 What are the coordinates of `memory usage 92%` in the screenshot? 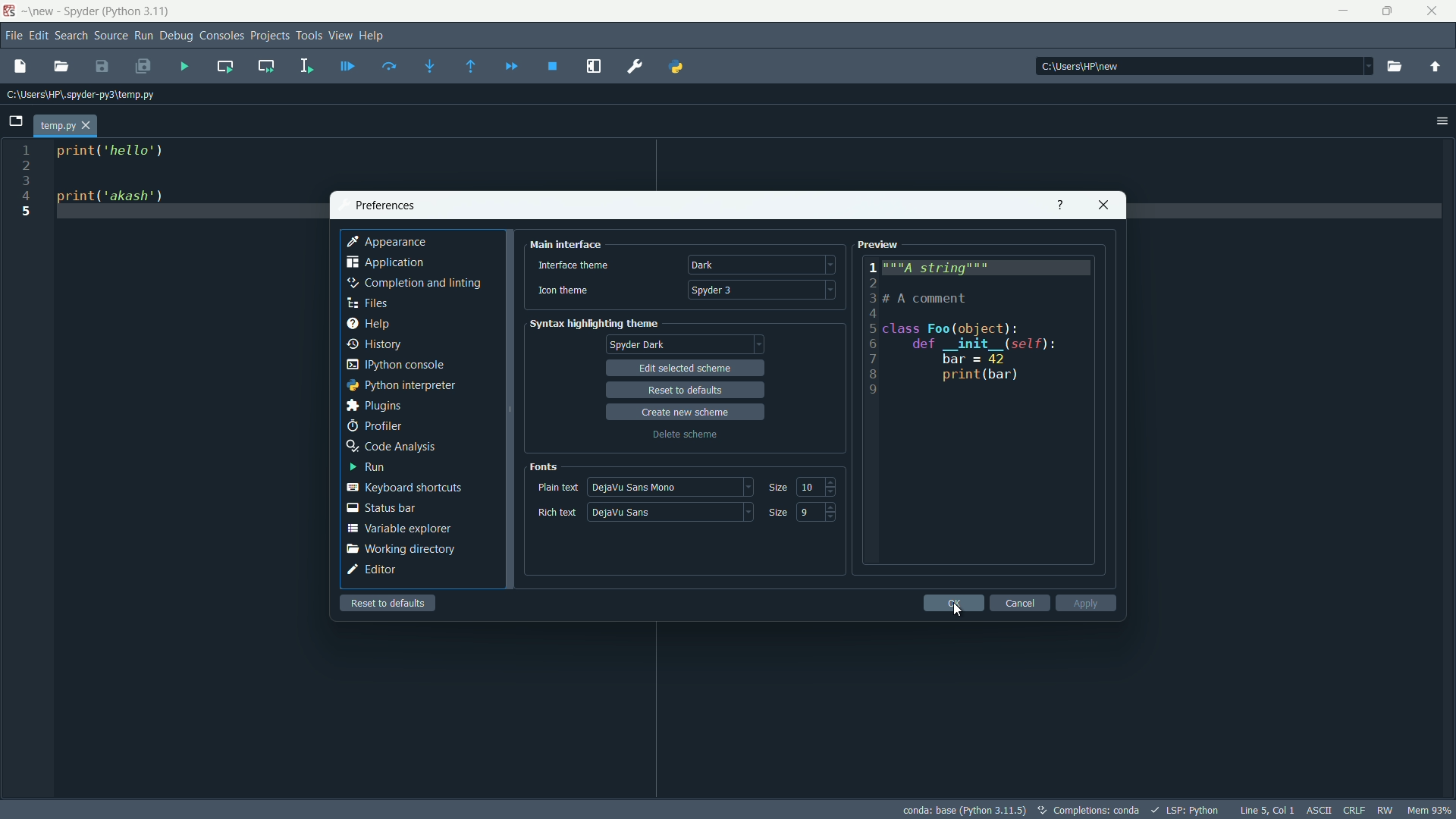 It's located at (1429, 810).